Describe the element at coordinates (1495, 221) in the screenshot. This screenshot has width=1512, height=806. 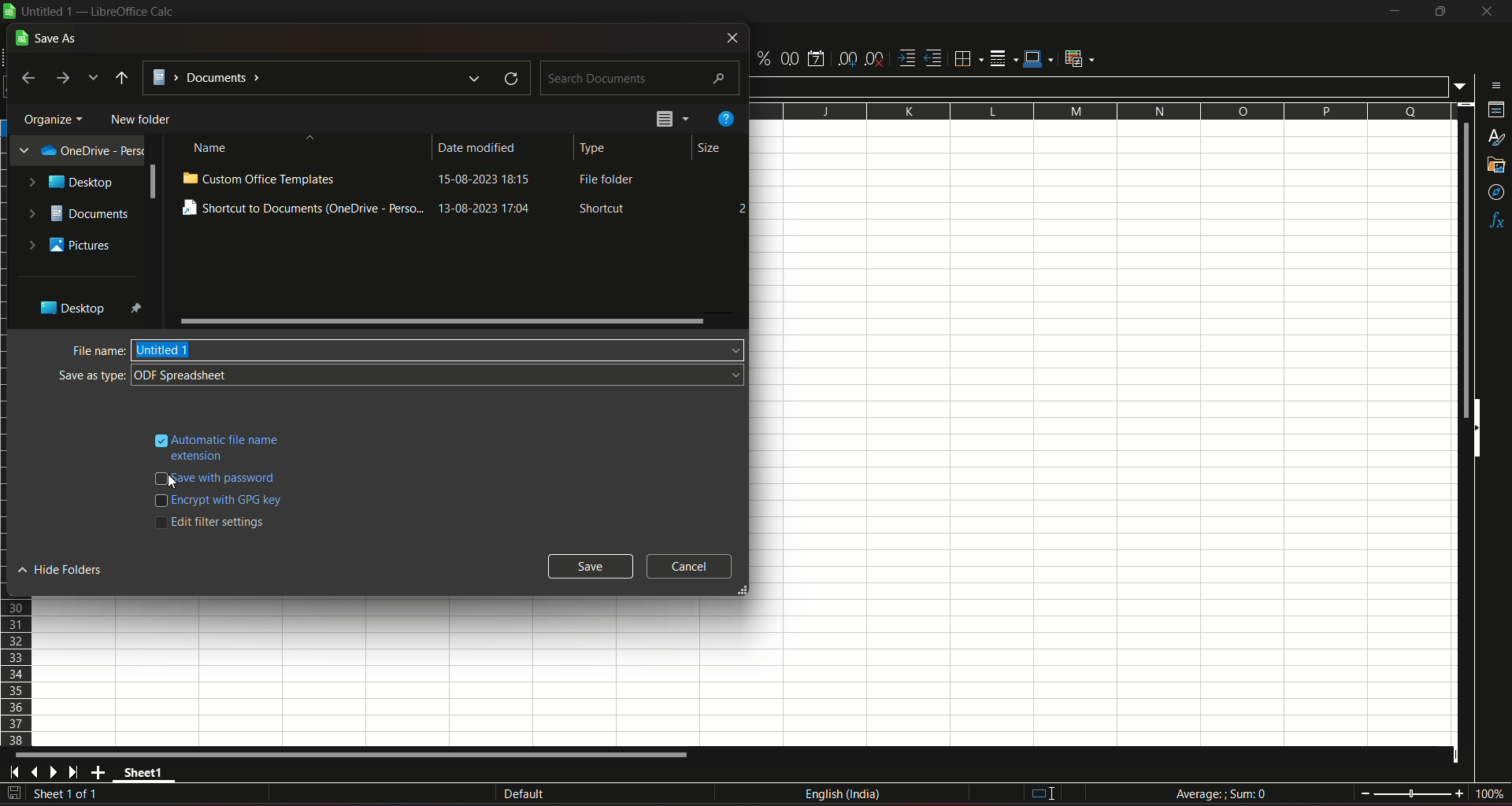
I see `functions` at that location.